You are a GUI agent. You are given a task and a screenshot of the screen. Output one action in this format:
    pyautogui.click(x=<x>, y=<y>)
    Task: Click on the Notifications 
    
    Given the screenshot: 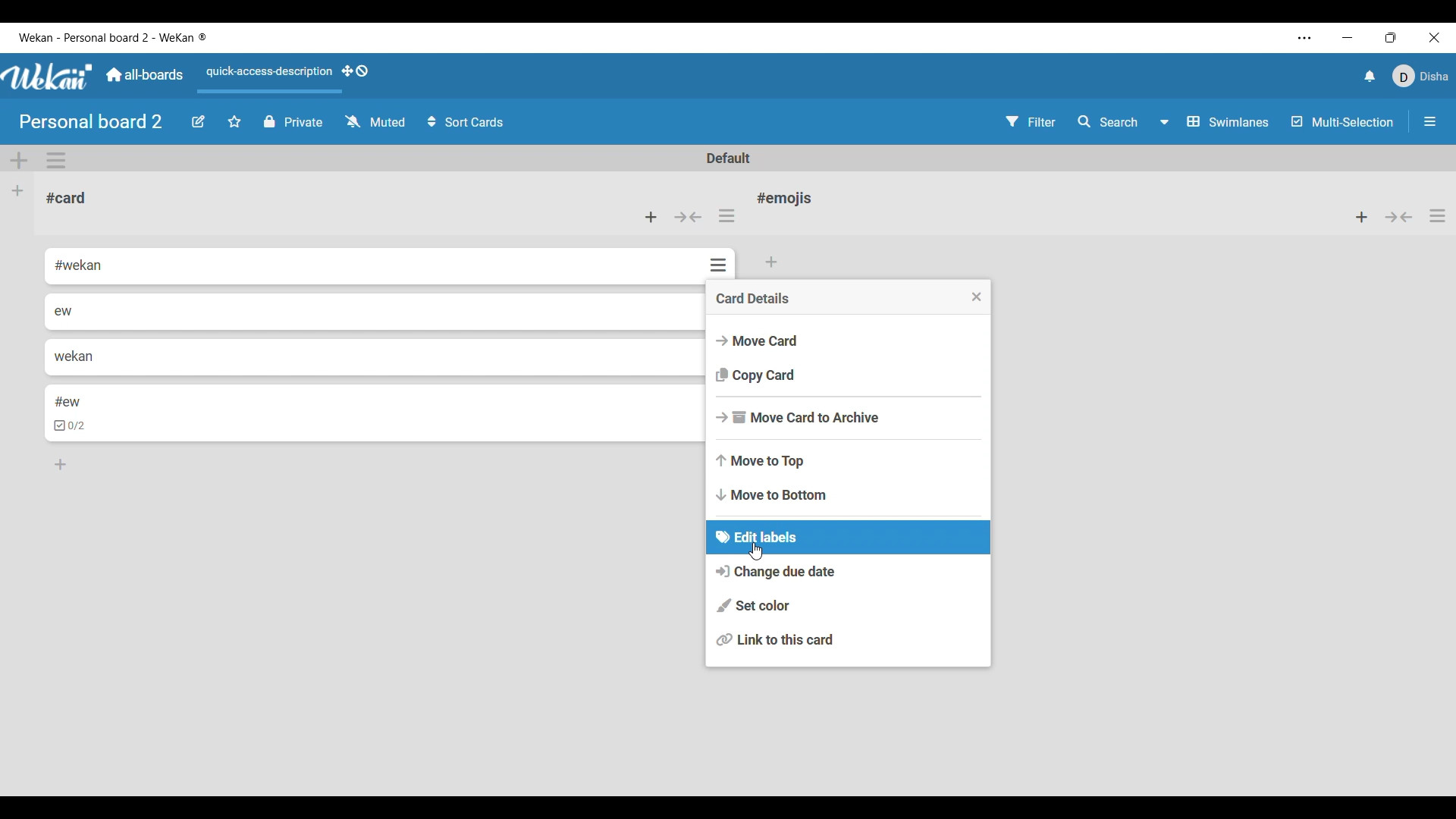 What is the action you would take?
    pyautogui.click(x=1370, y=77)
    